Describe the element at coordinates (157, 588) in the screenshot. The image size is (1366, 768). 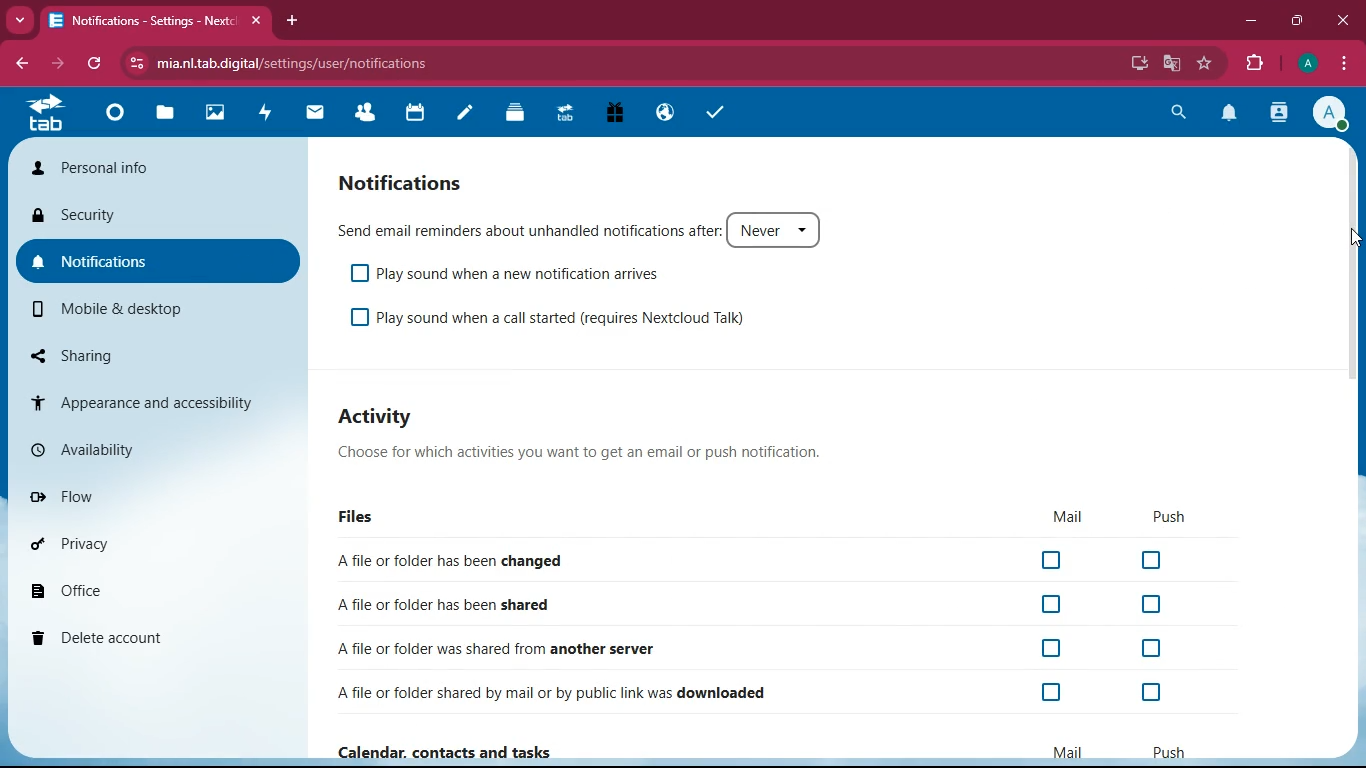
I see `office` at that location.